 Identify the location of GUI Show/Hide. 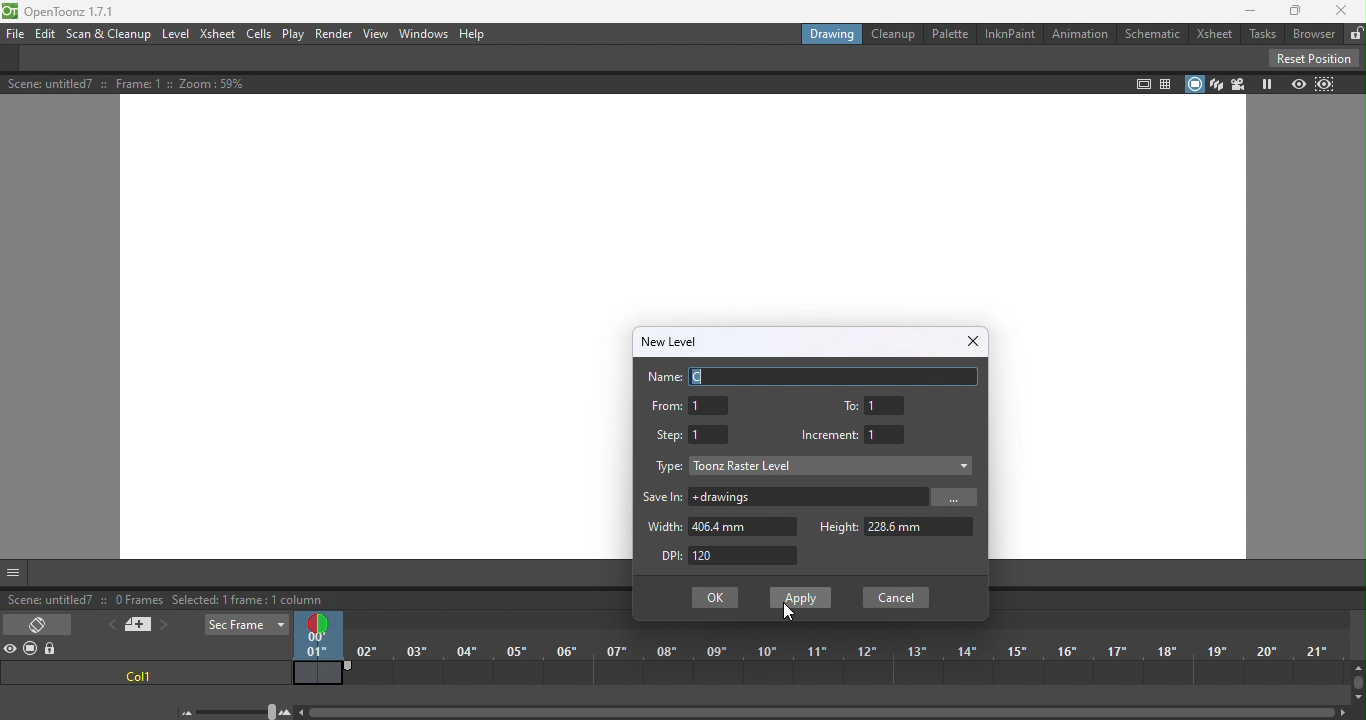
(14, 573).